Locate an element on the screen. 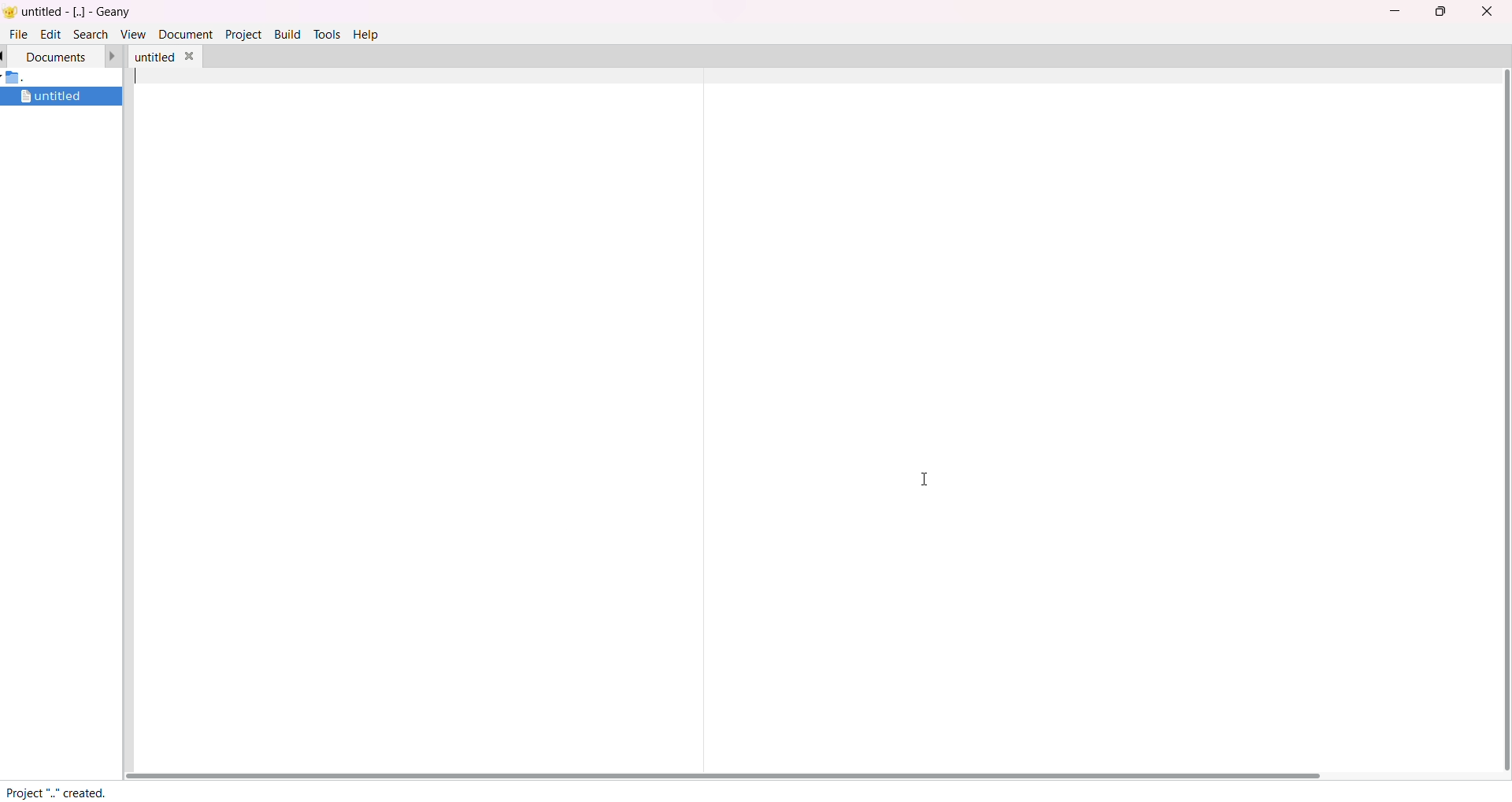  scroll bar is located at coordinates (736, 772).